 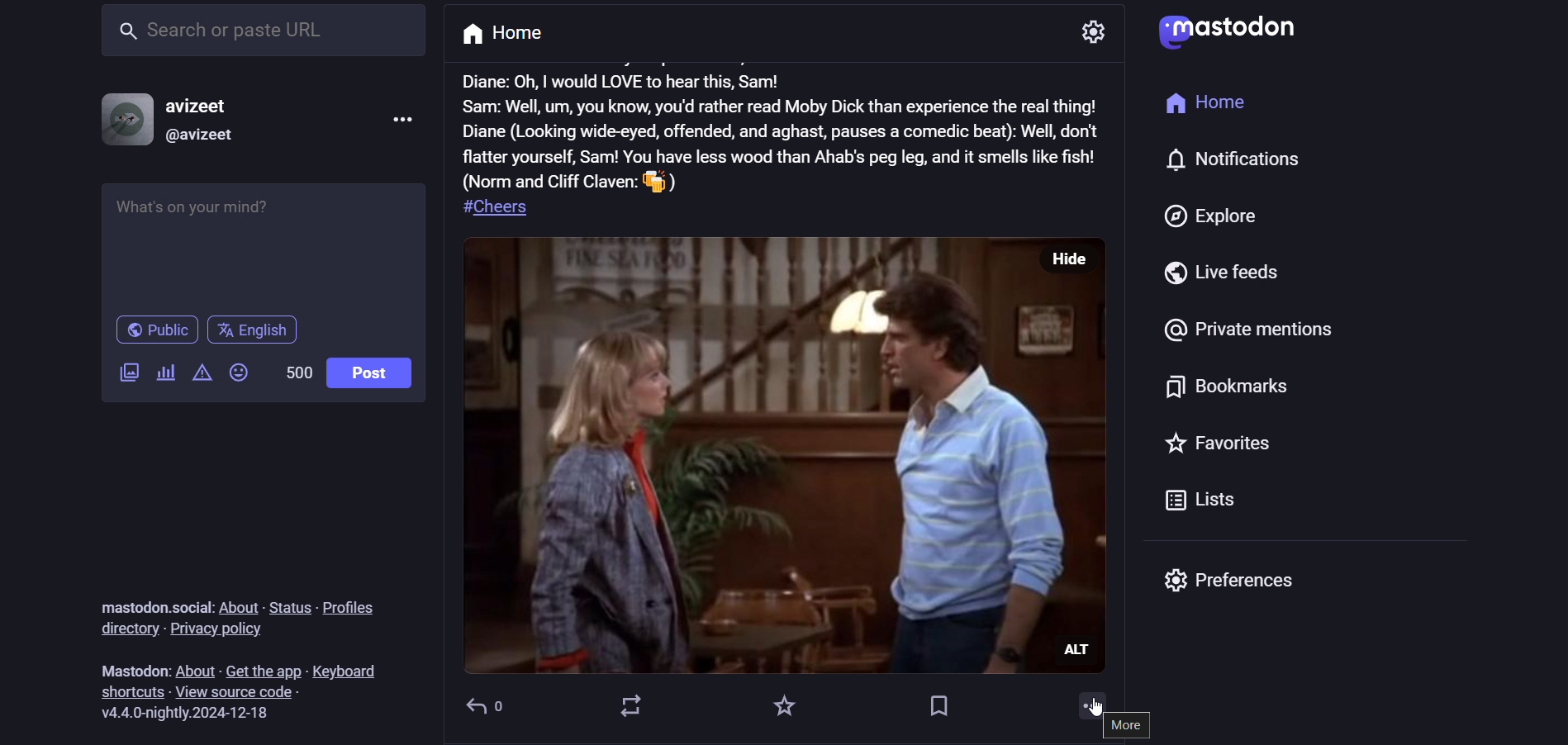 I want to click on hashtag, so click(x=501, y=211).